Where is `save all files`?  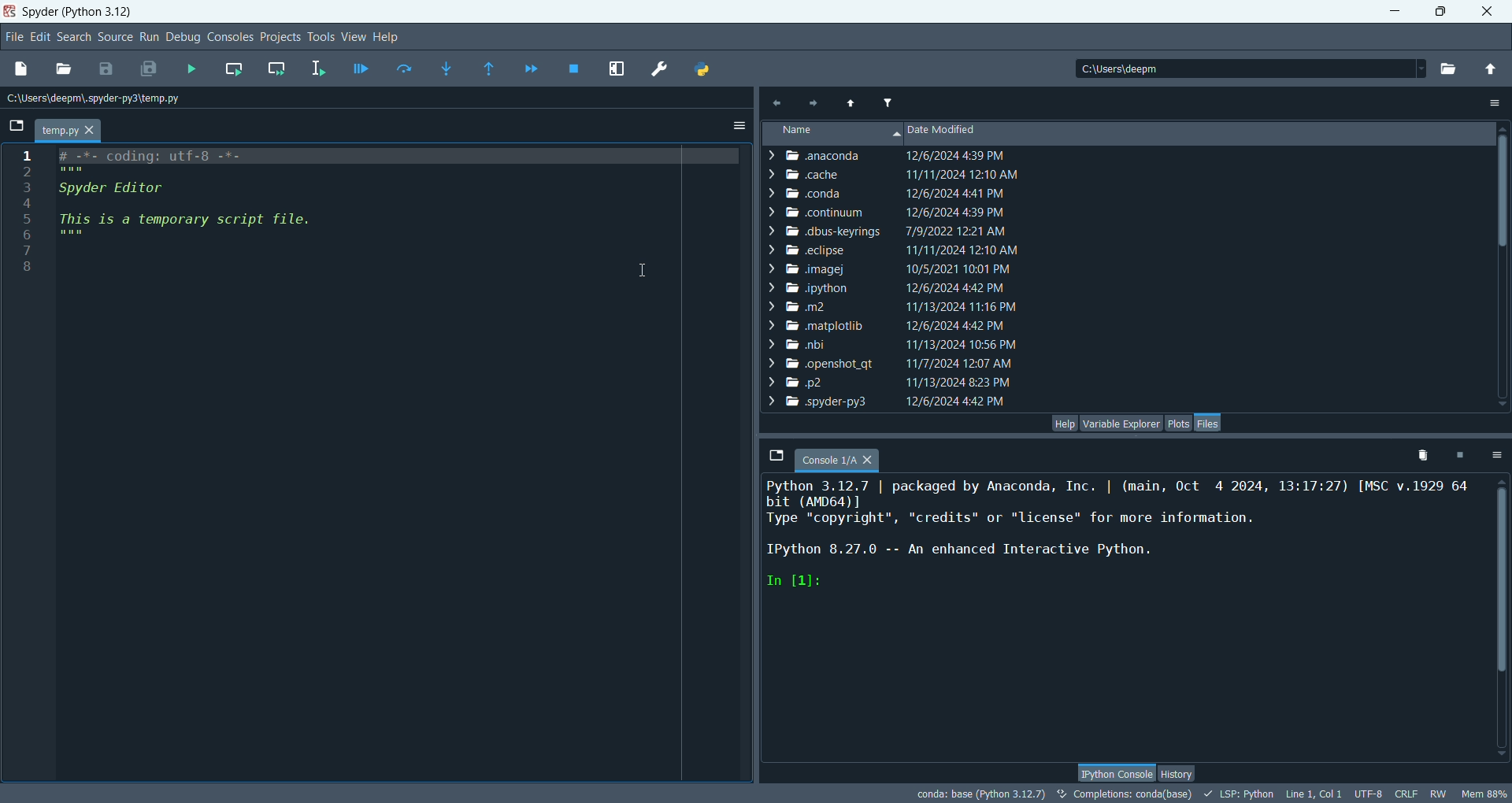
save all files is located at coordinates (148, 70).